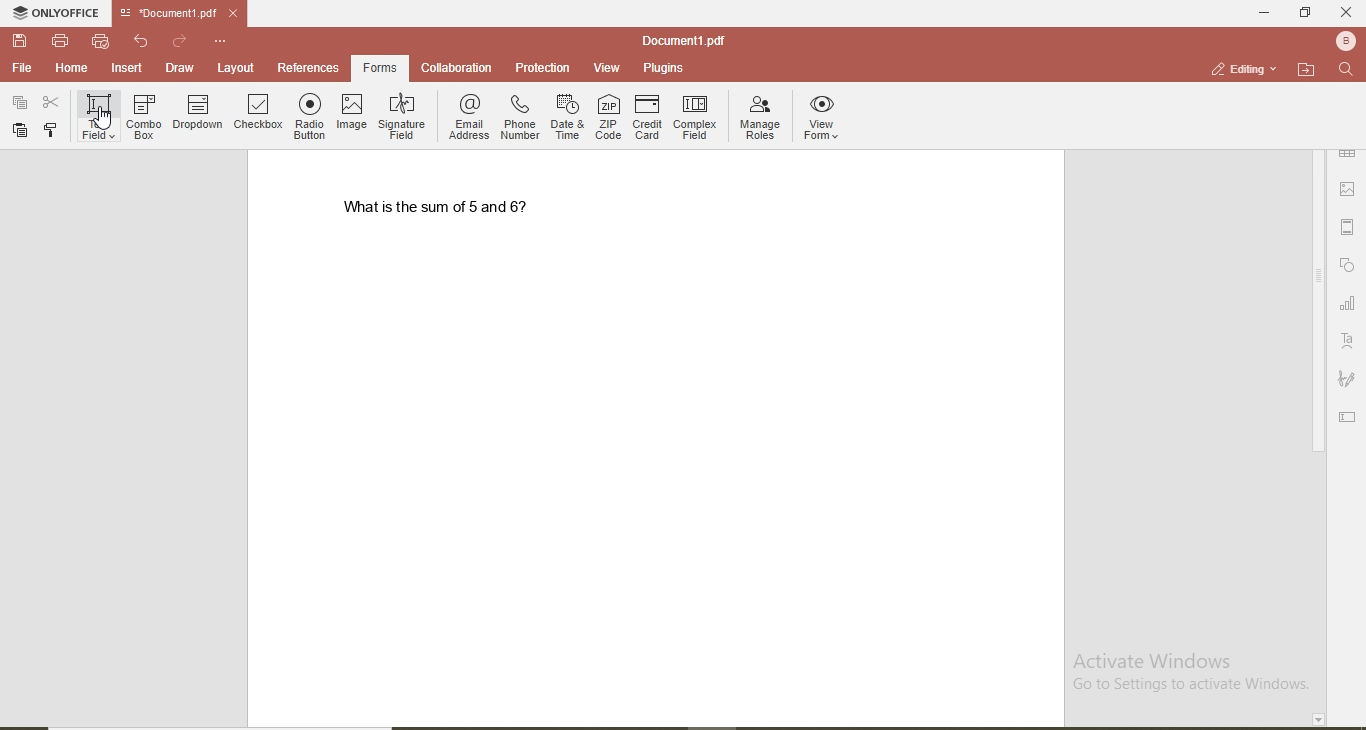  What do you see at coordinates (178, 70) in the screenshot?
I see `draw` at bounding box center [178, 70].